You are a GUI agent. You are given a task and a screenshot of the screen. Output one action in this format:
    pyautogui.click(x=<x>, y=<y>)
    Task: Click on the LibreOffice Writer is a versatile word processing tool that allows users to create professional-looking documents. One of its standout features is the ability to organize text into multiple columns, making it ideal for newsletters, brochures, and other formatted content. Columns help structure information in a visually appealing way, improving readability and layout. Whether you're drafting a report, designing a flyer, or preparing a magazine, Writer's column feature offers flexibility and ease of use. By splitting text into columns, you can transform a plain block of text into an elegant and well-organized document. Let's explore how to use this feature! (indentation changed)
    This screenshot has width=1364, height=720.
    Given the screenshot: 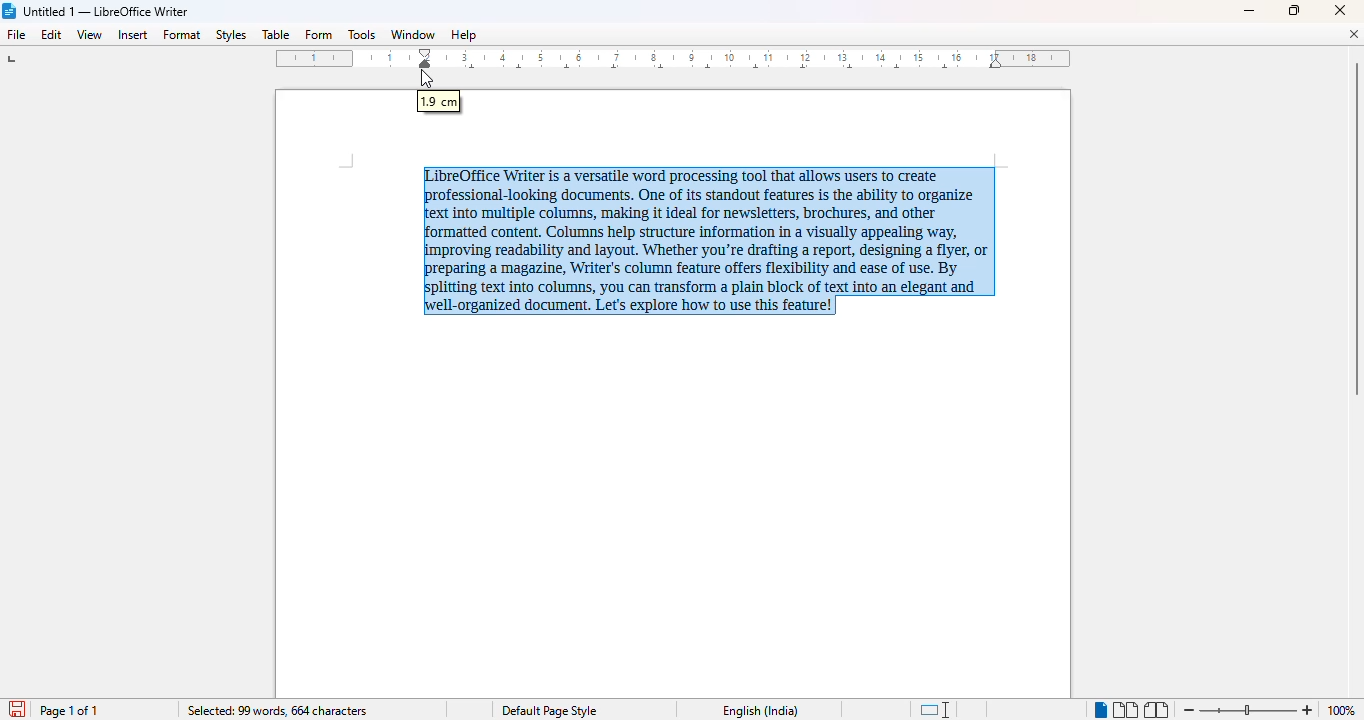 What is the action you would take?
    pyautogui.click(x=710, y=241)
    